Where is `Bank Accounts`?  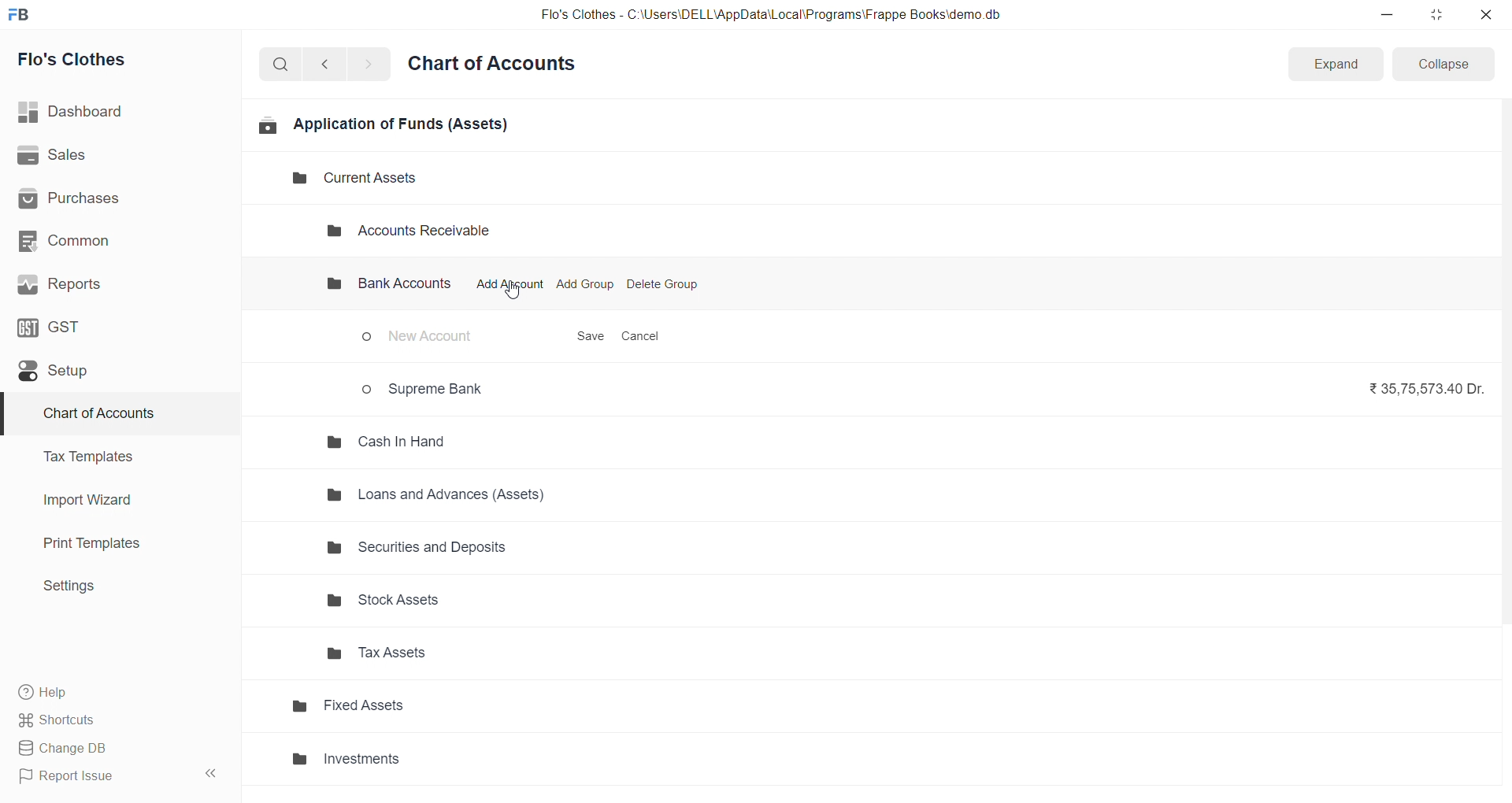
Bank Accounts is located at coordinates (386, 285).